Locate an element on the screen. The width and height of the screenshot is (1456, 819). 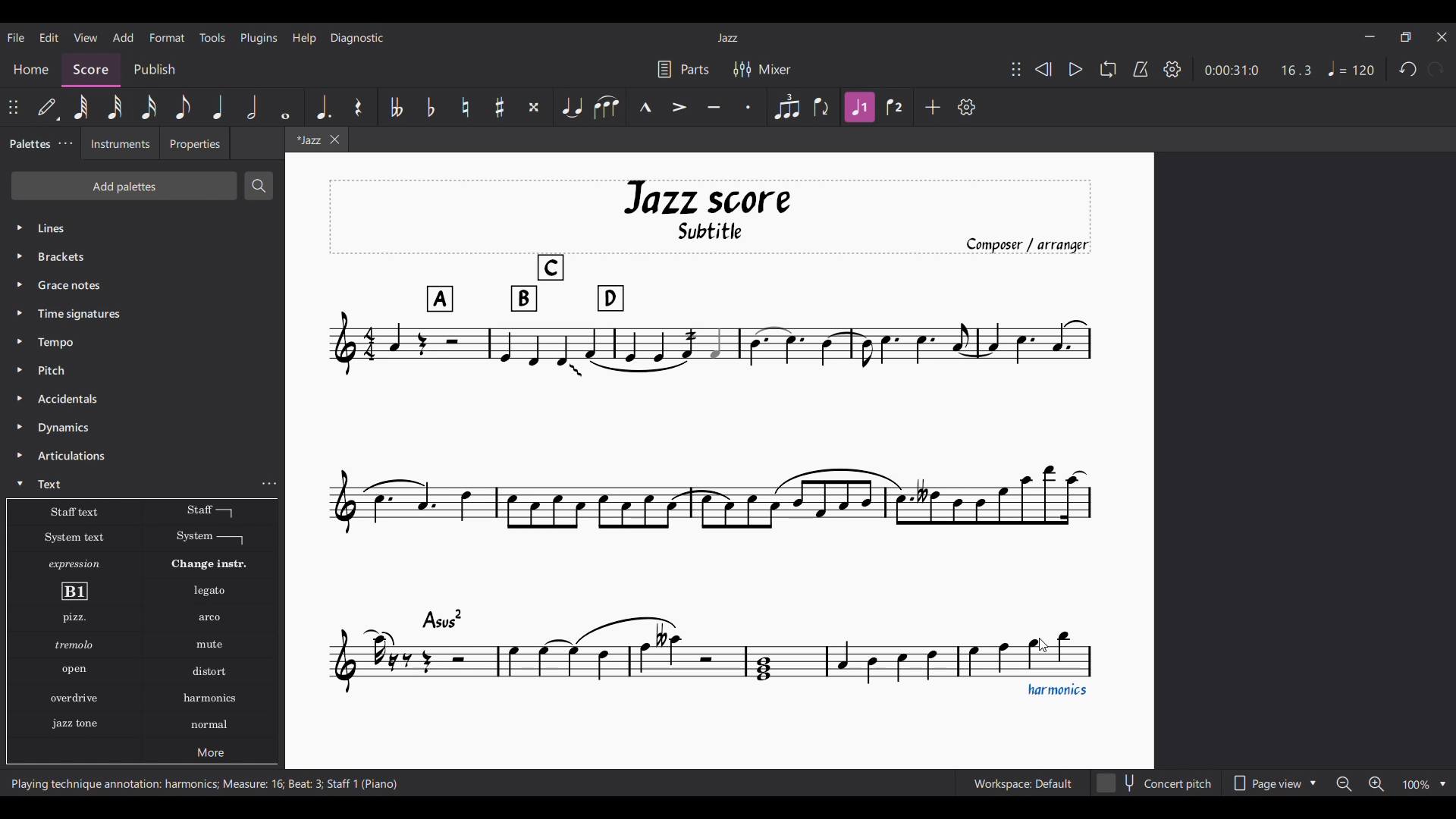
Current tab is located at coordinates (303, 141).